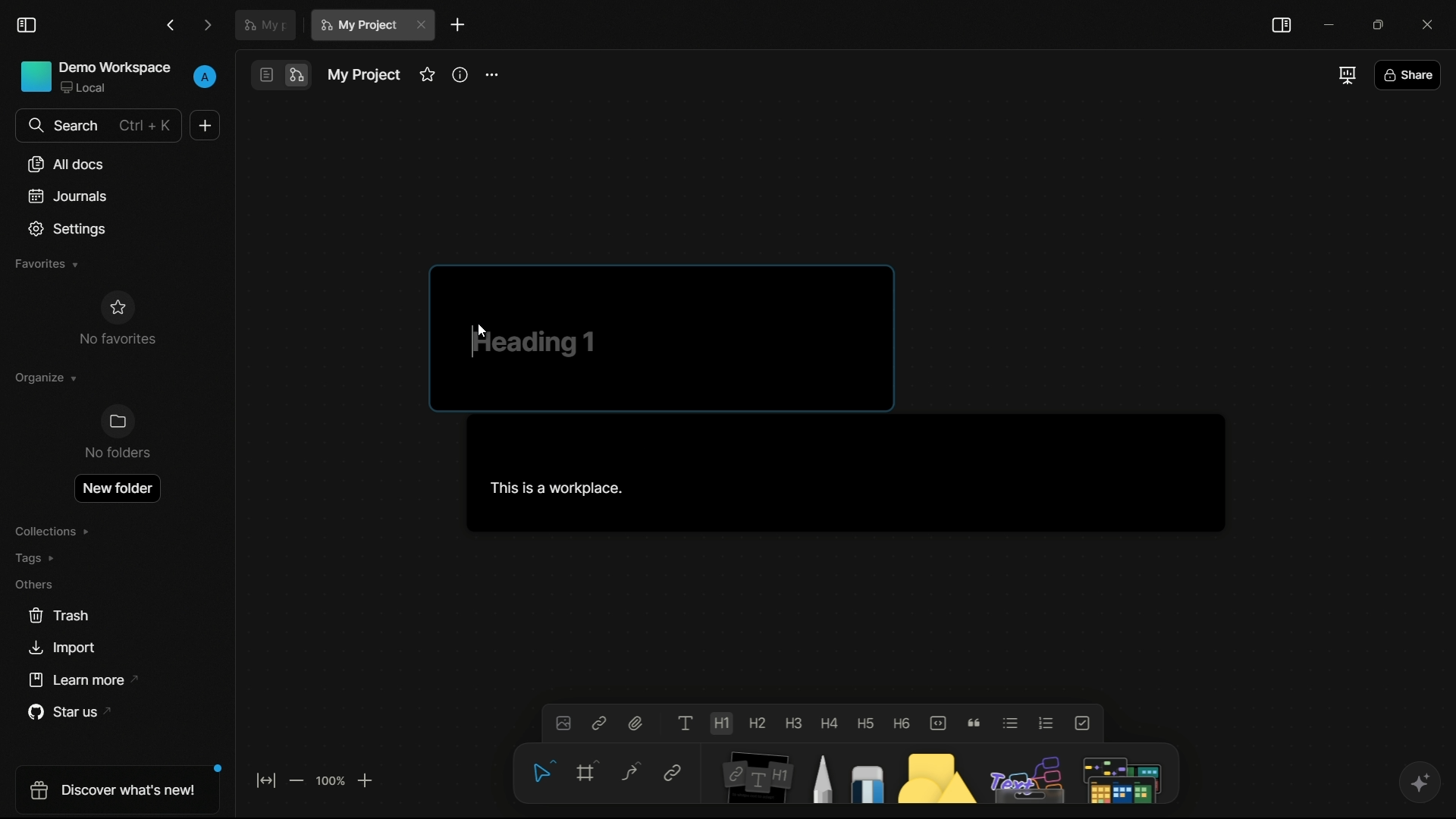  Describe the element at coordinates (821, 773) in the screenshot. I see `pencil and pen` at that location.